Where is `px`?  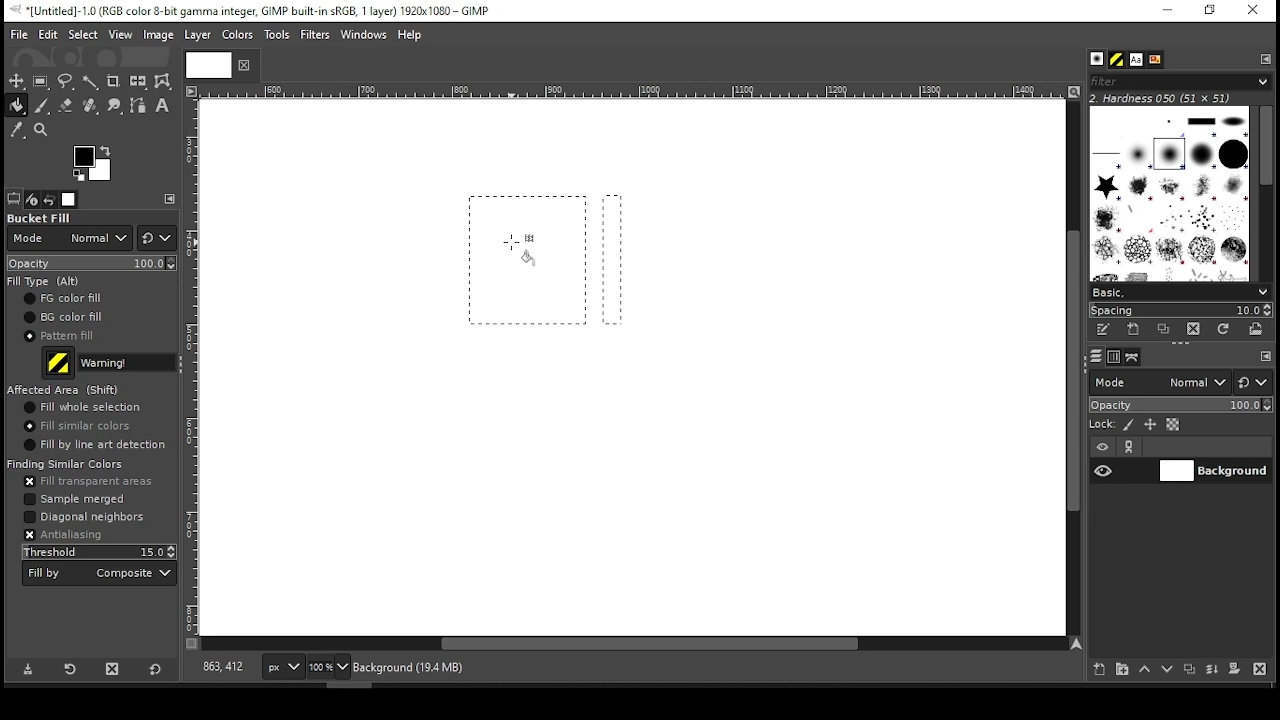
px is located at coordinates (282, 669).